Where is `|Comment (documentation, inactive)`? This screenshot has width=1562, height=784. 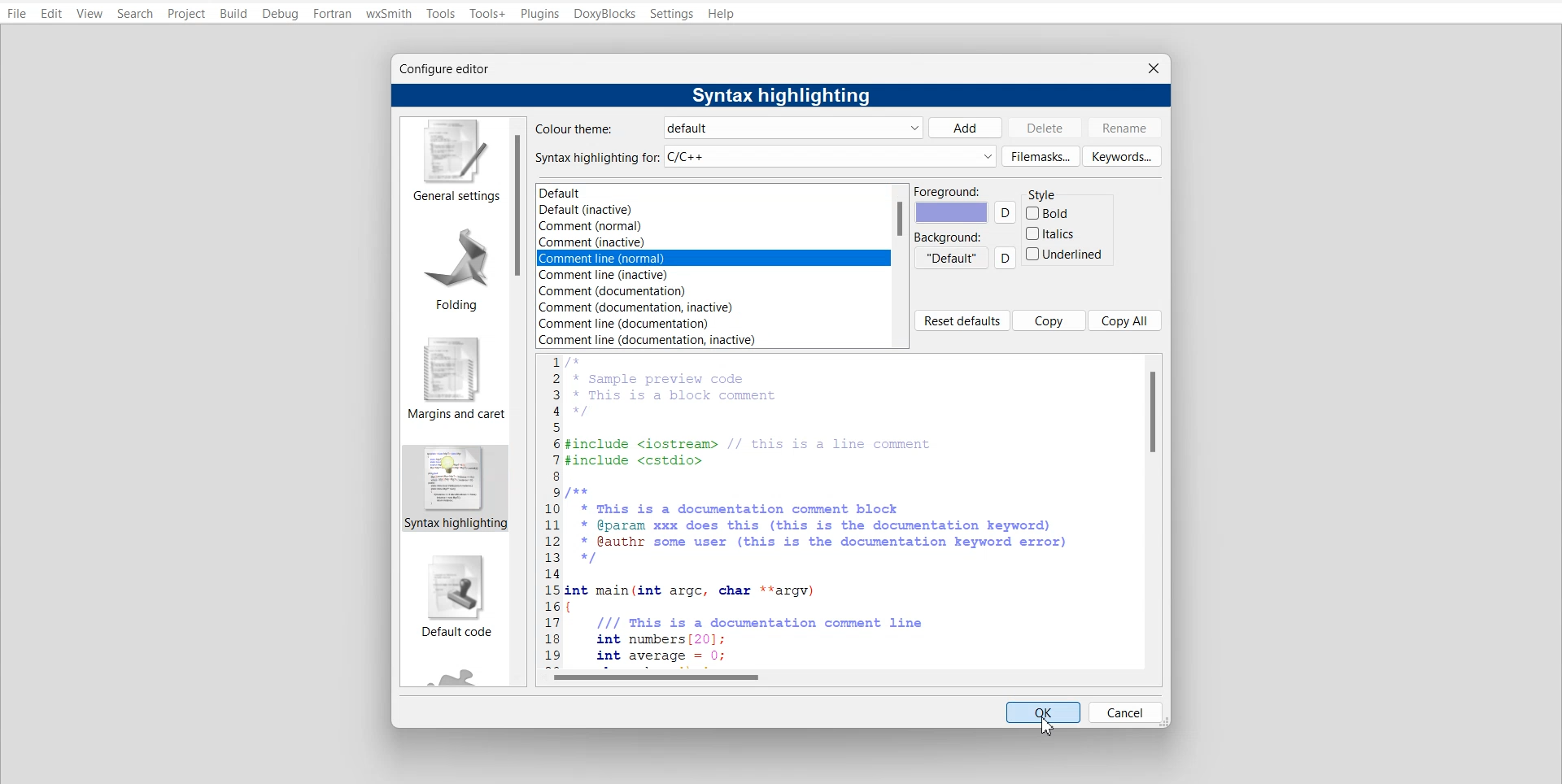
|Comment (documentation, inactive) is located at coordinates (647, 307).